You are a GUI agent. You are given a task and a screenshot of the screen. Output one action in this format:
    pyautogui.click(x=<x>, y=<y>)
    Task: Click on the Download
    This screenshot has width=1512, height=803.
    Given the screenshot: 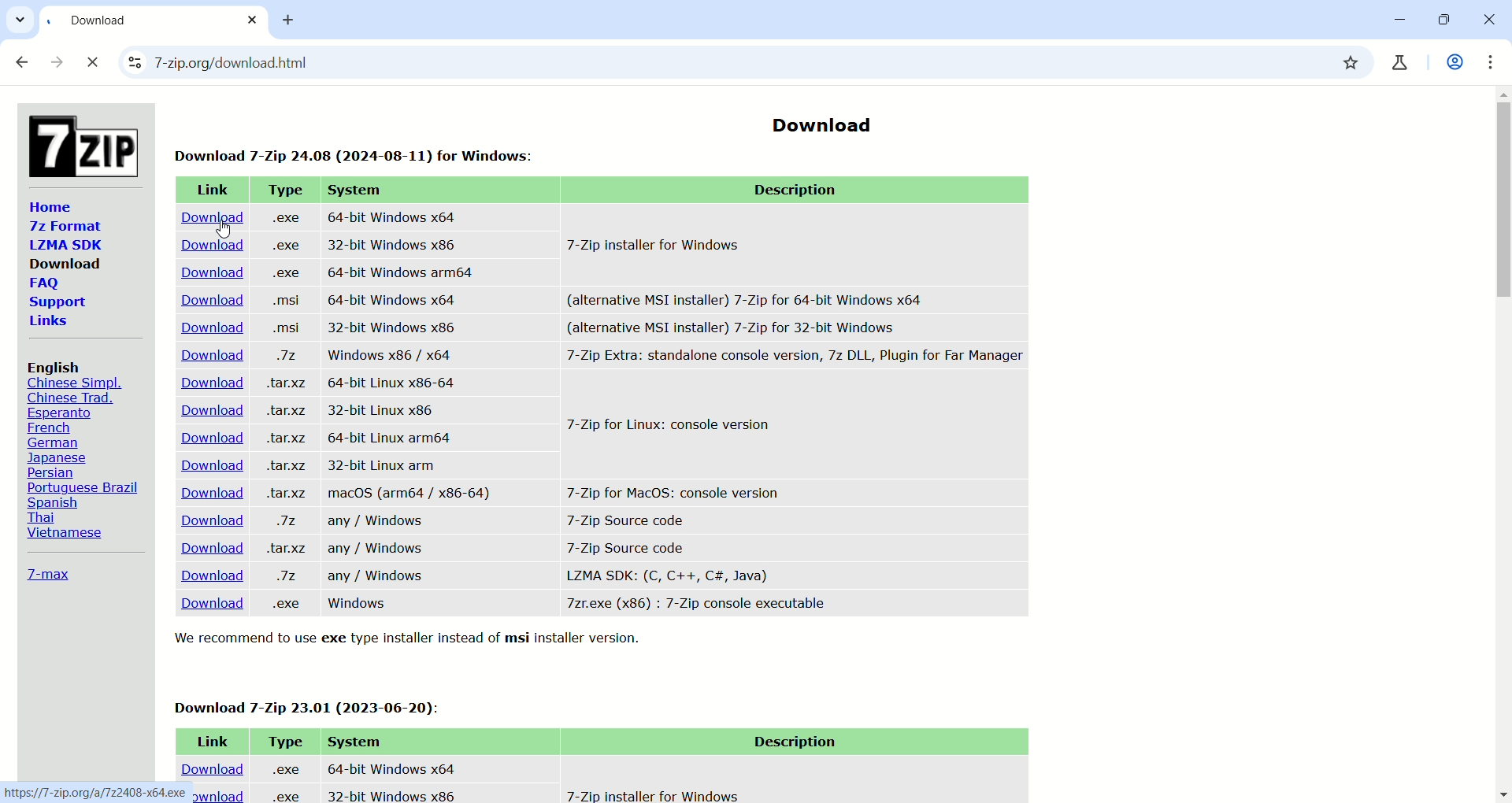 What is the action you would take?
    pyautogui.click(x=209, y=764)
    